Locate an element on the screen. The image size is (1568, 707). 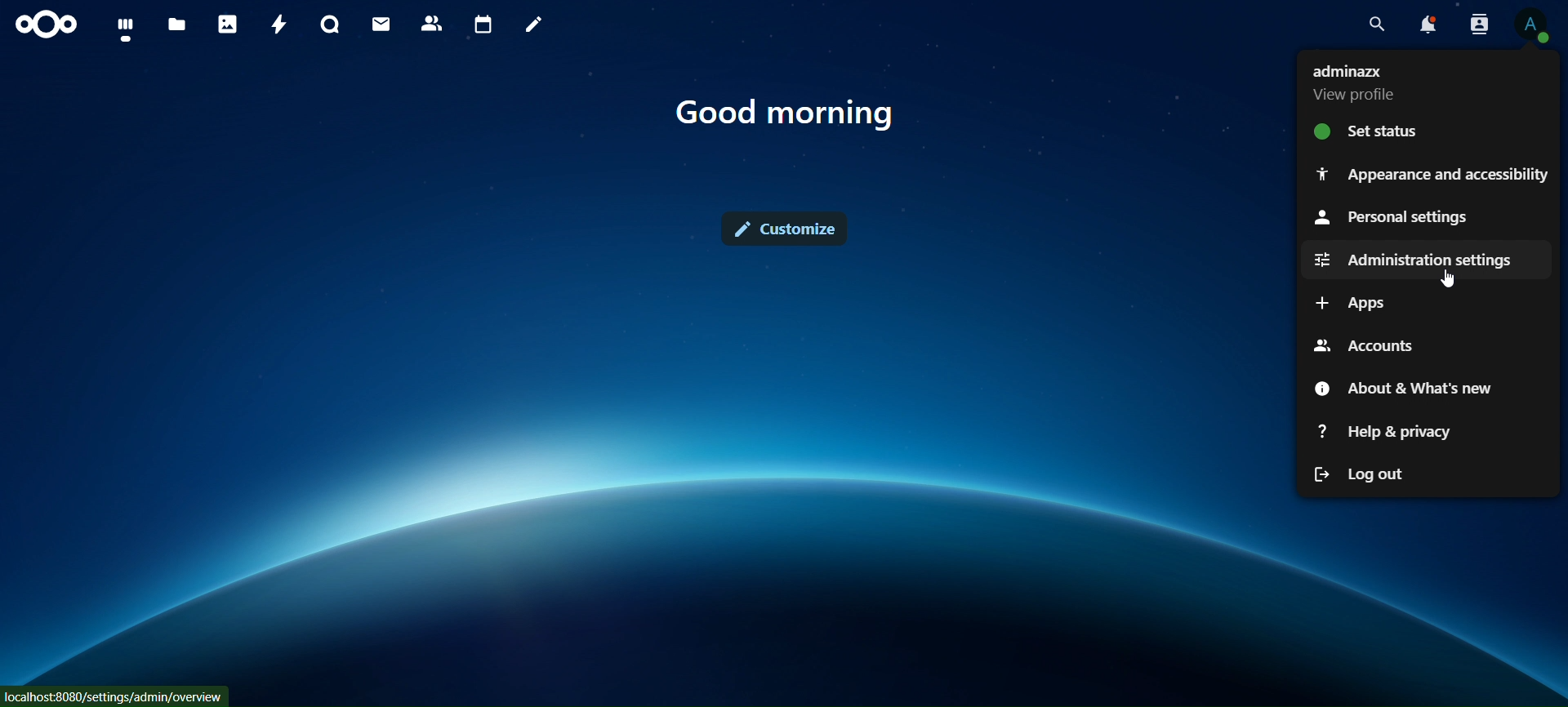
activity is located at coordinates (281, 25).